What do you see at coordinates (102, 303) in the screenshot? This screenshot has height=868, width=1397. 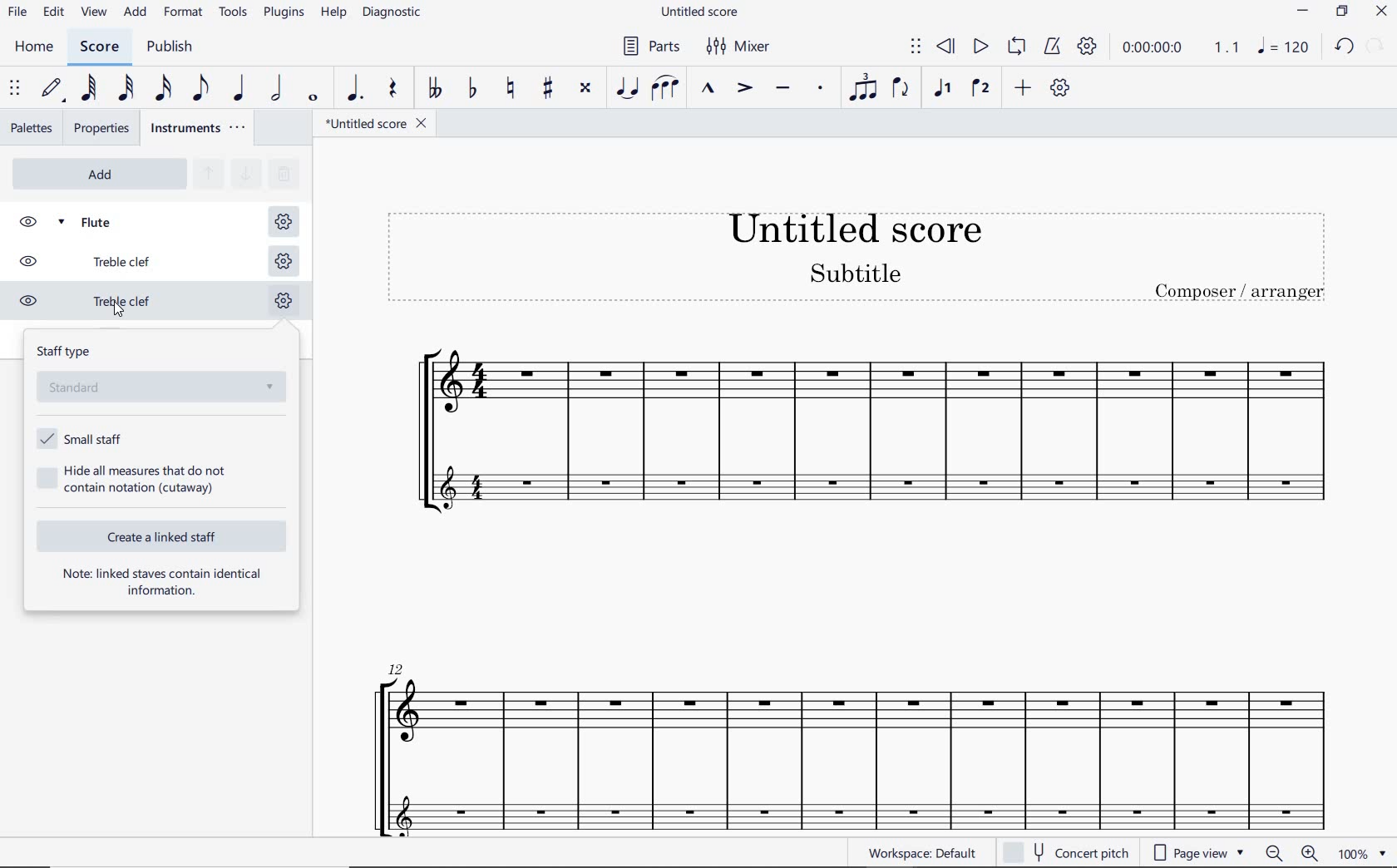 I see `TREBLE CLEF` at bounding box center [102, 303].